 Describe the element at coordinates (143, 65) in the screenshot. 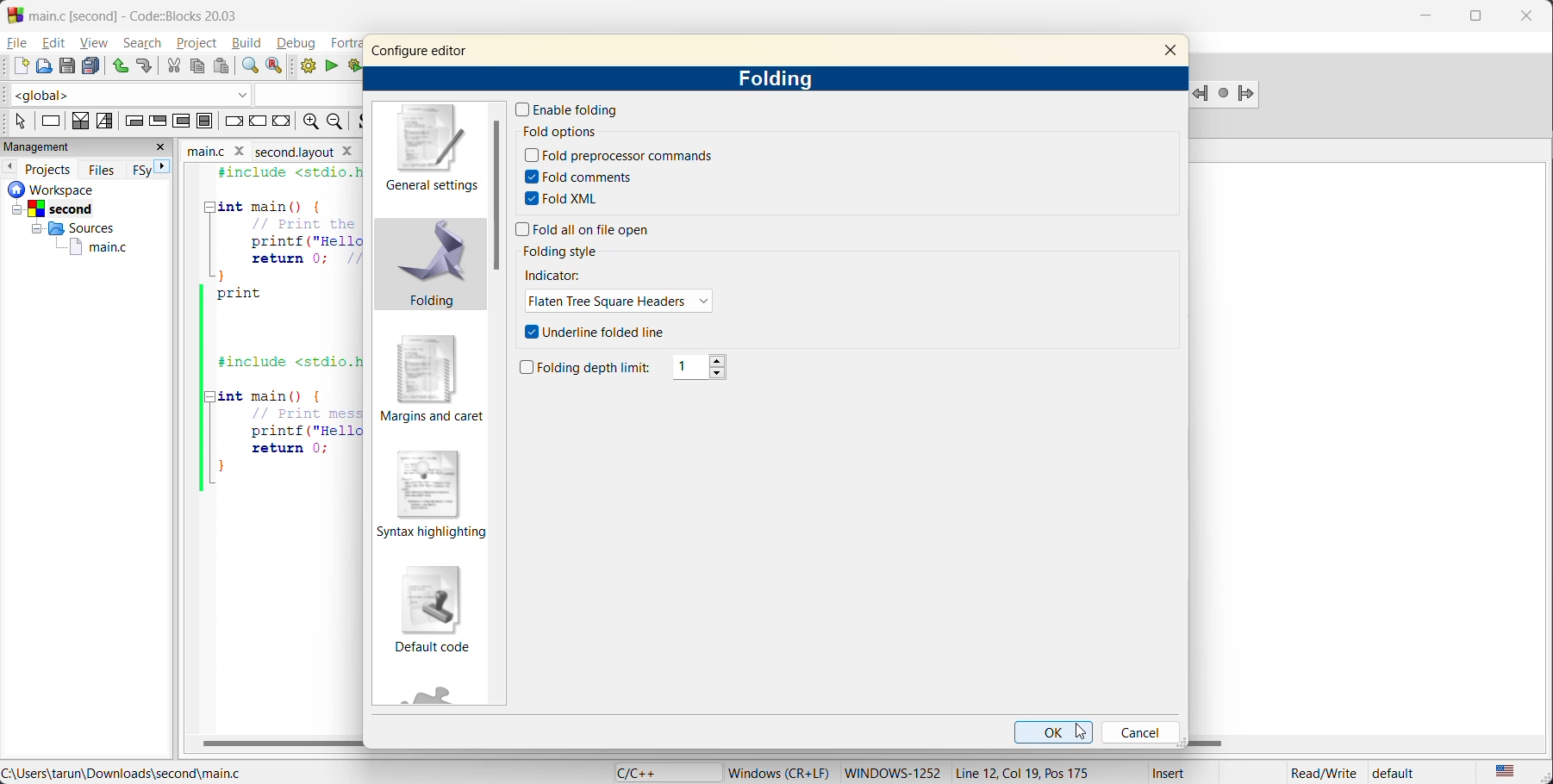

I see `redo` at that location.